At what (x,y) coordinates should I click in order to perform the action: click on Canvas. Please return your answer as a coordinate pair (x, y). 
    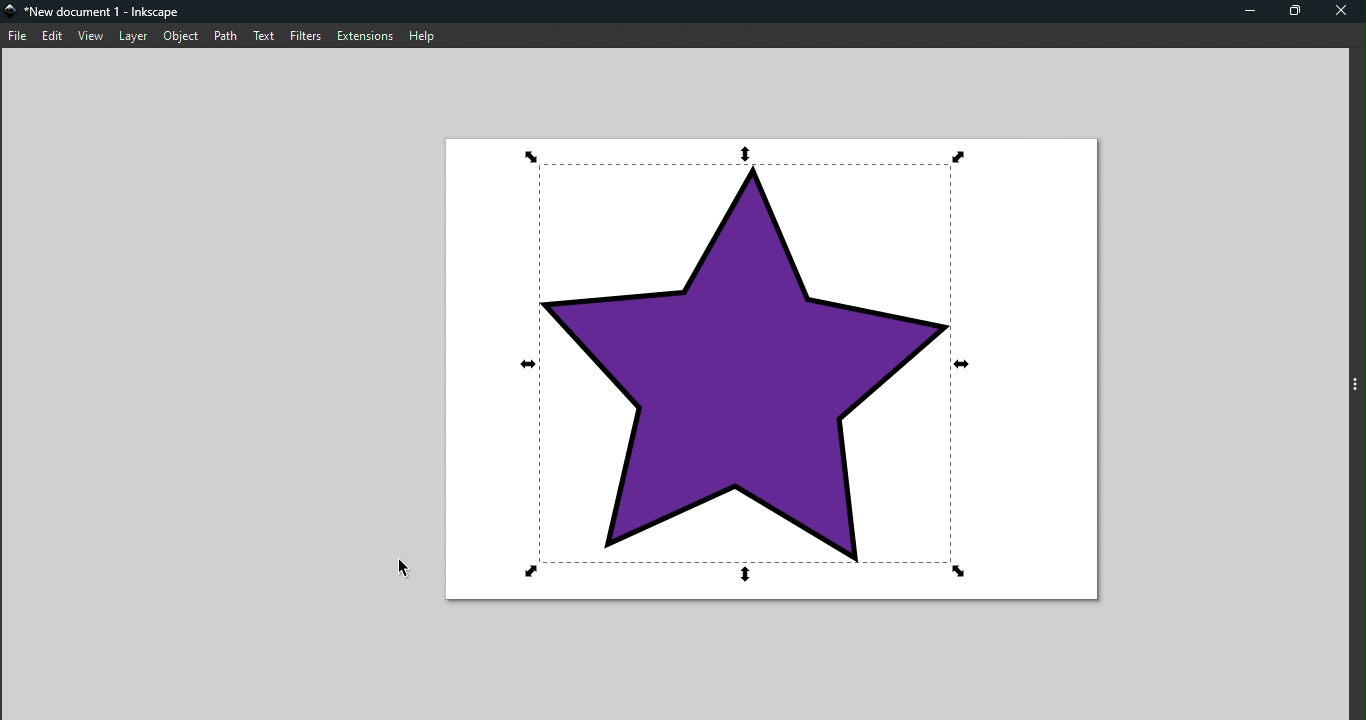
    Looking at the image, I should click on (778, 371).